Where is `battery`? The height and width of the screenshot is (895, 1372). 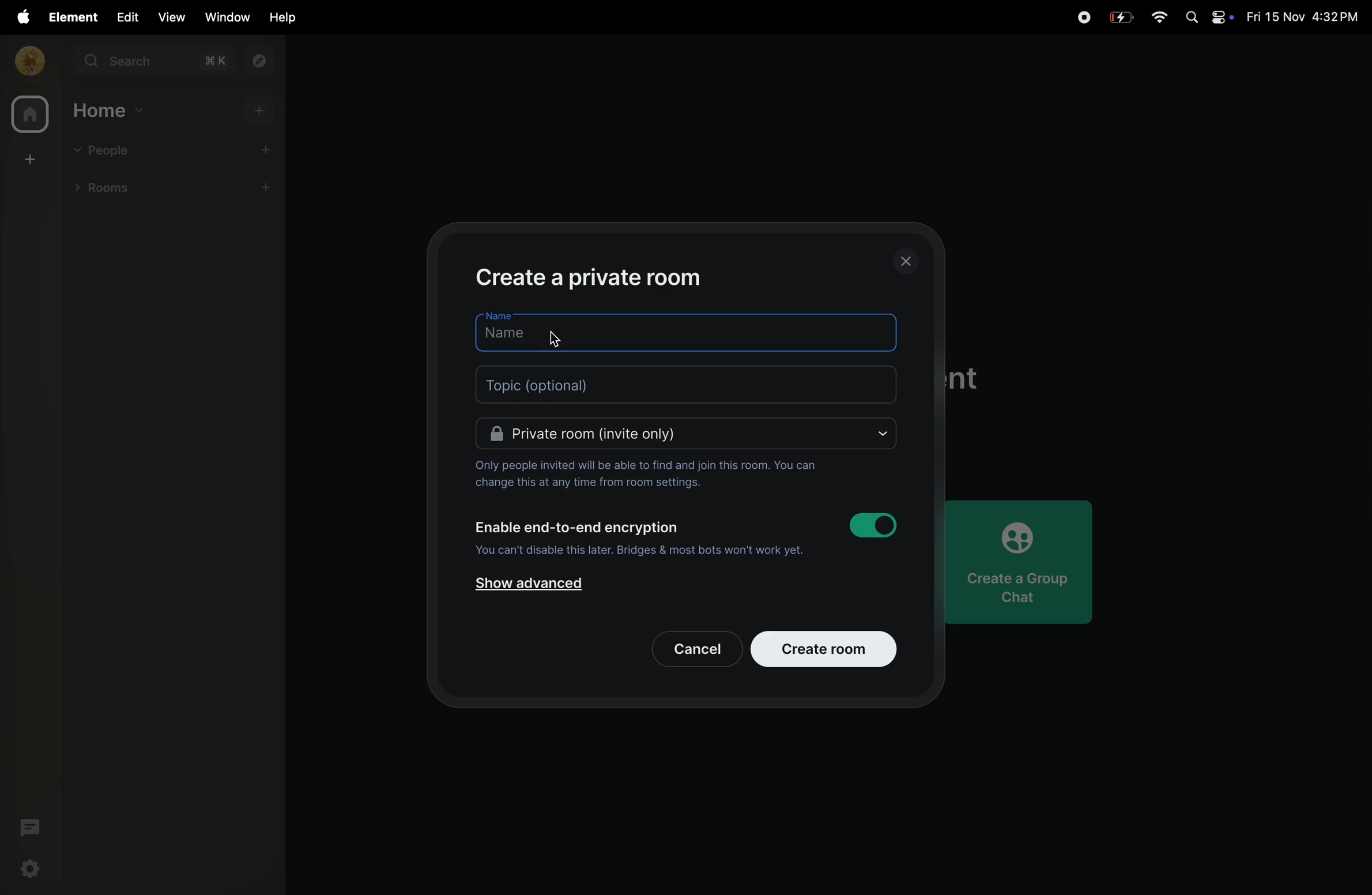
battery is located at coordinates (1122, 16).